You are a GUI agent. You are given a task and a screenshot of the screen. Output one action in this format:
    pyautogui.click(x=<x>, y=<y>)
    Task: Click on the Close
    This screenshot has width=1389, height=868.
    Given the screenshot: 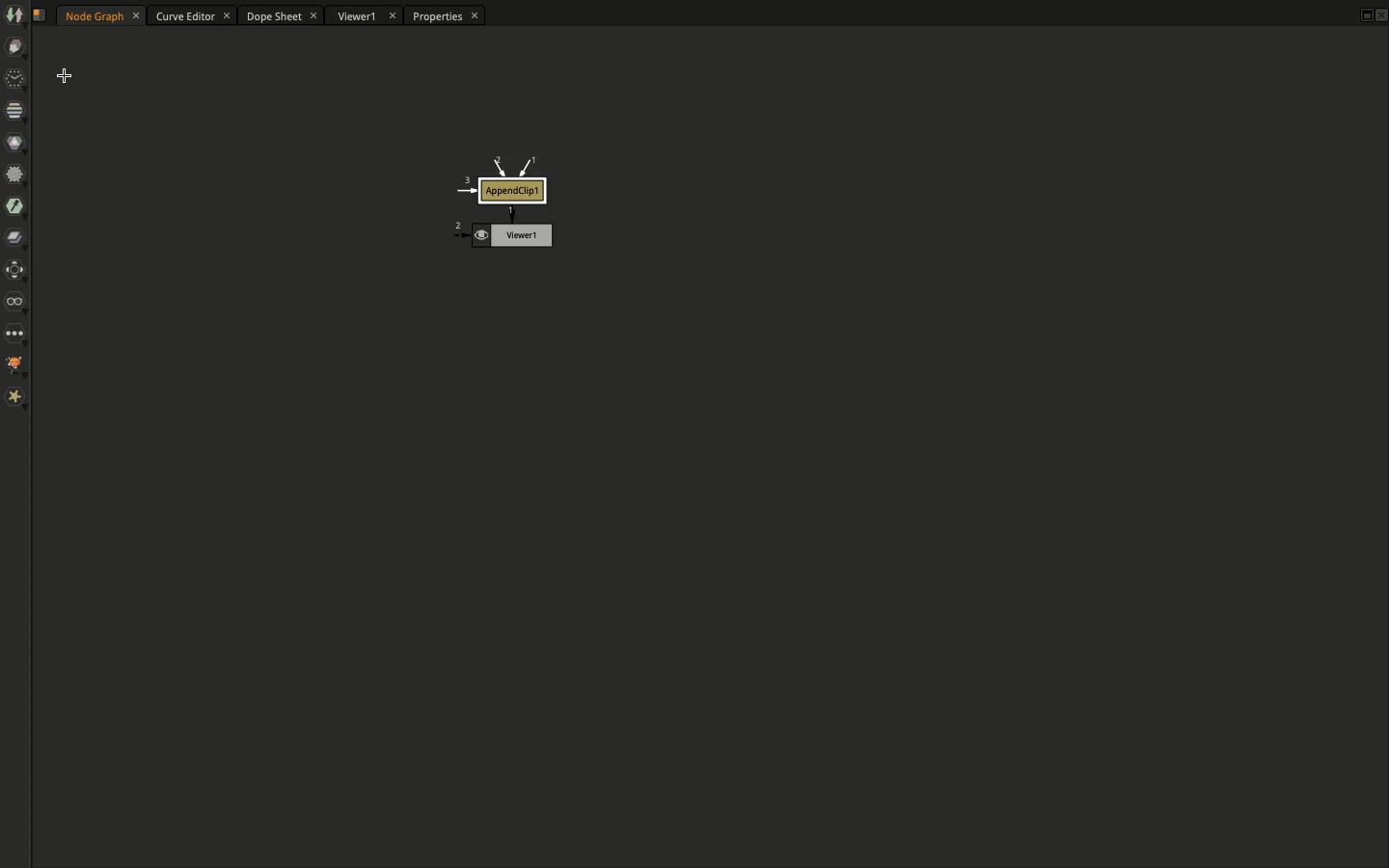 What is the action you would take?
    pyautogui.click(x=1380, y=17)
    